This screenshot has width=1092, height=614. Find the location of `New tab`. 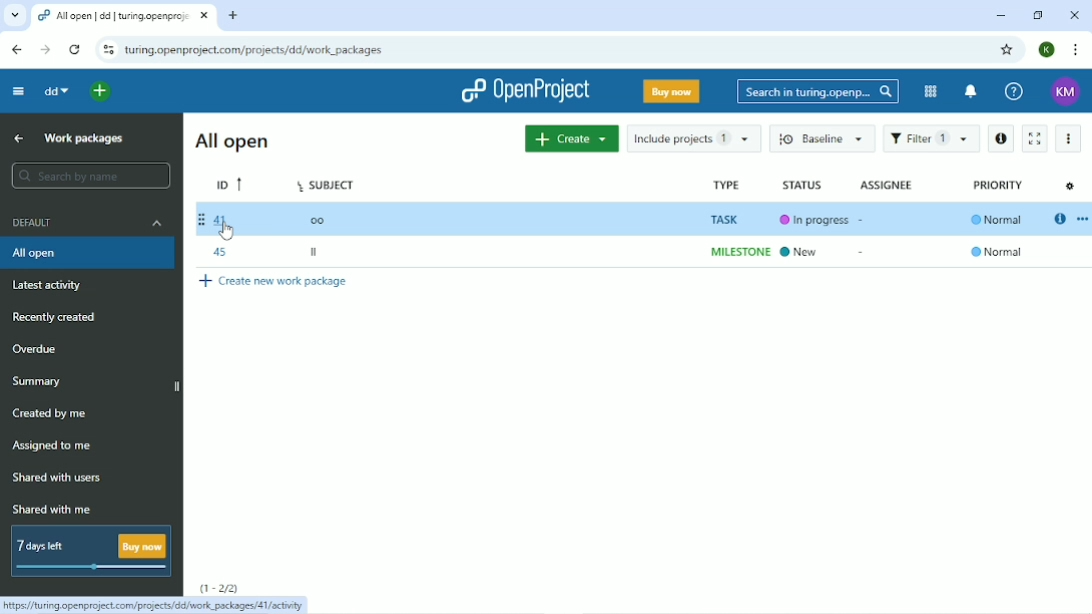

New tab is located at coordinates (233, 14).